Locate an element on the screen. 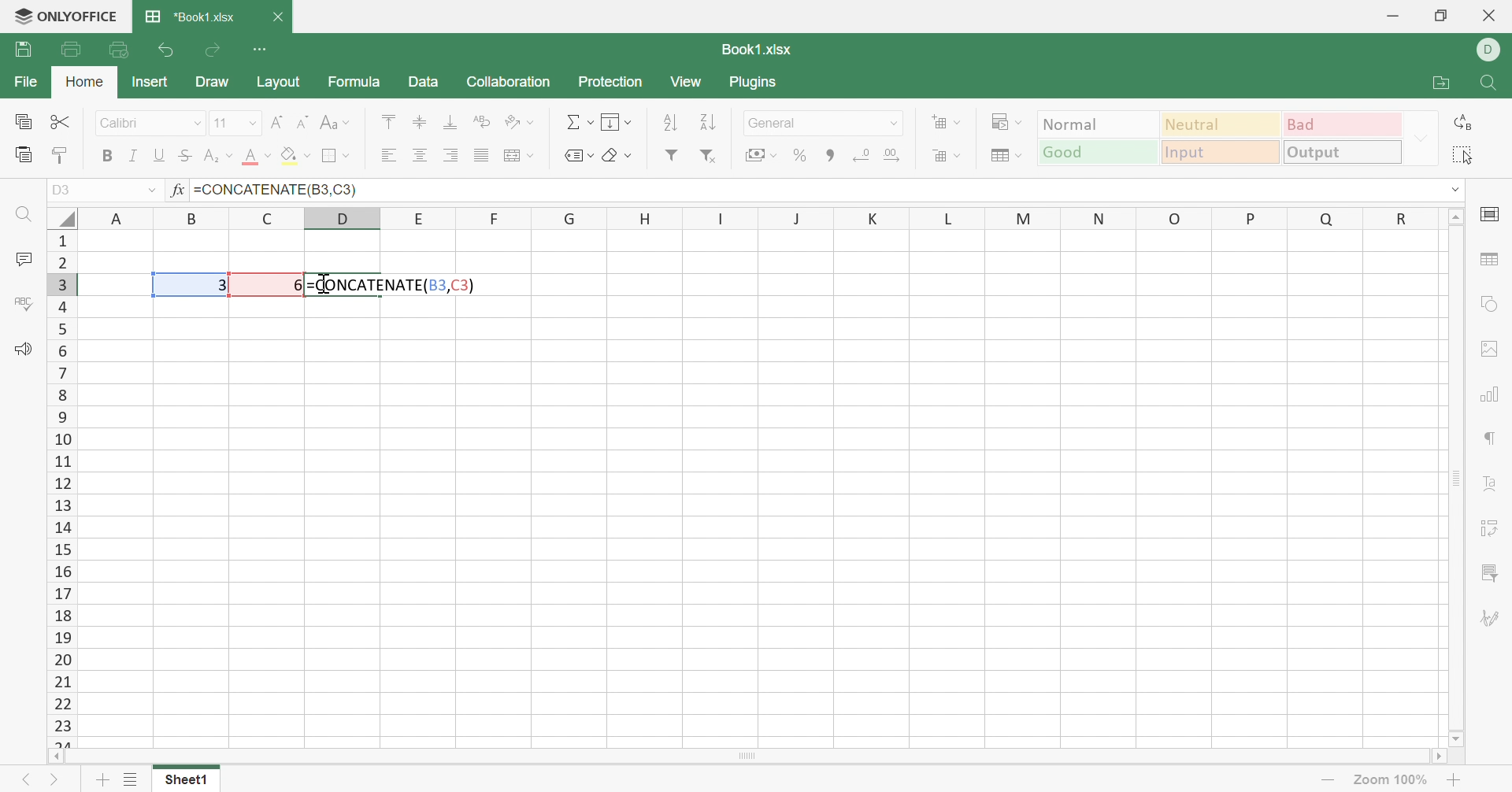 Image resolution: width=1512 pixels, height=792 pixels. Justified is located at coordinates (481, 156).